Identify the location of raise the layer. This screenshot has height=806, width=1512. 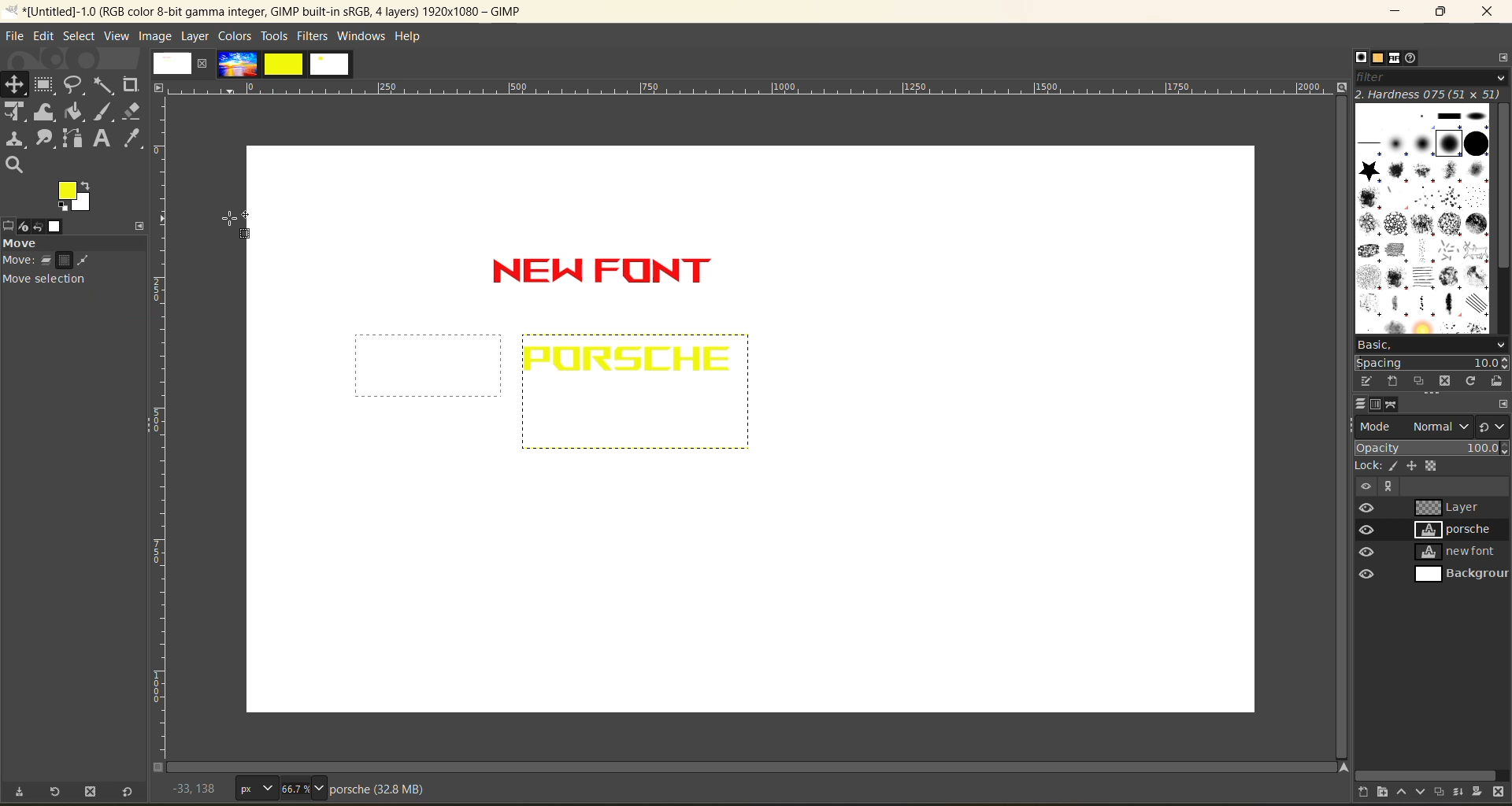
(1399, 793).